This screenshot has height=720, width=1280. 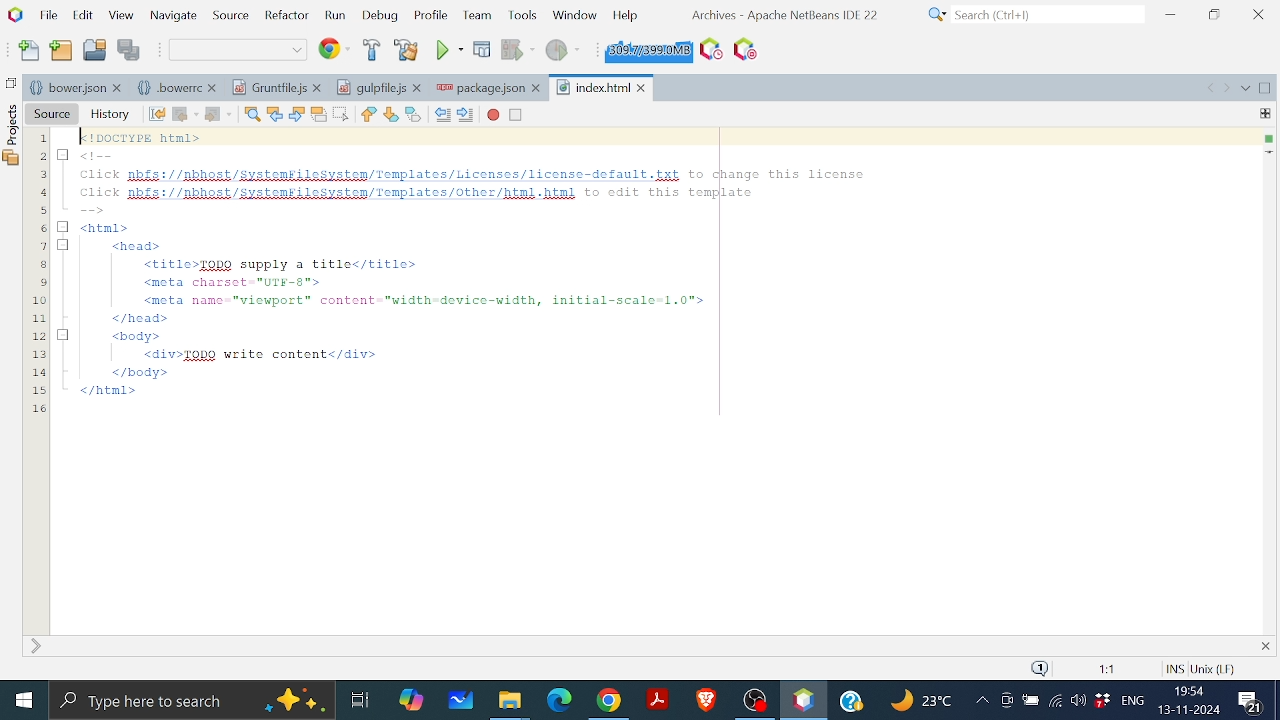 I want to click on Help, so click(x=854, y=698).